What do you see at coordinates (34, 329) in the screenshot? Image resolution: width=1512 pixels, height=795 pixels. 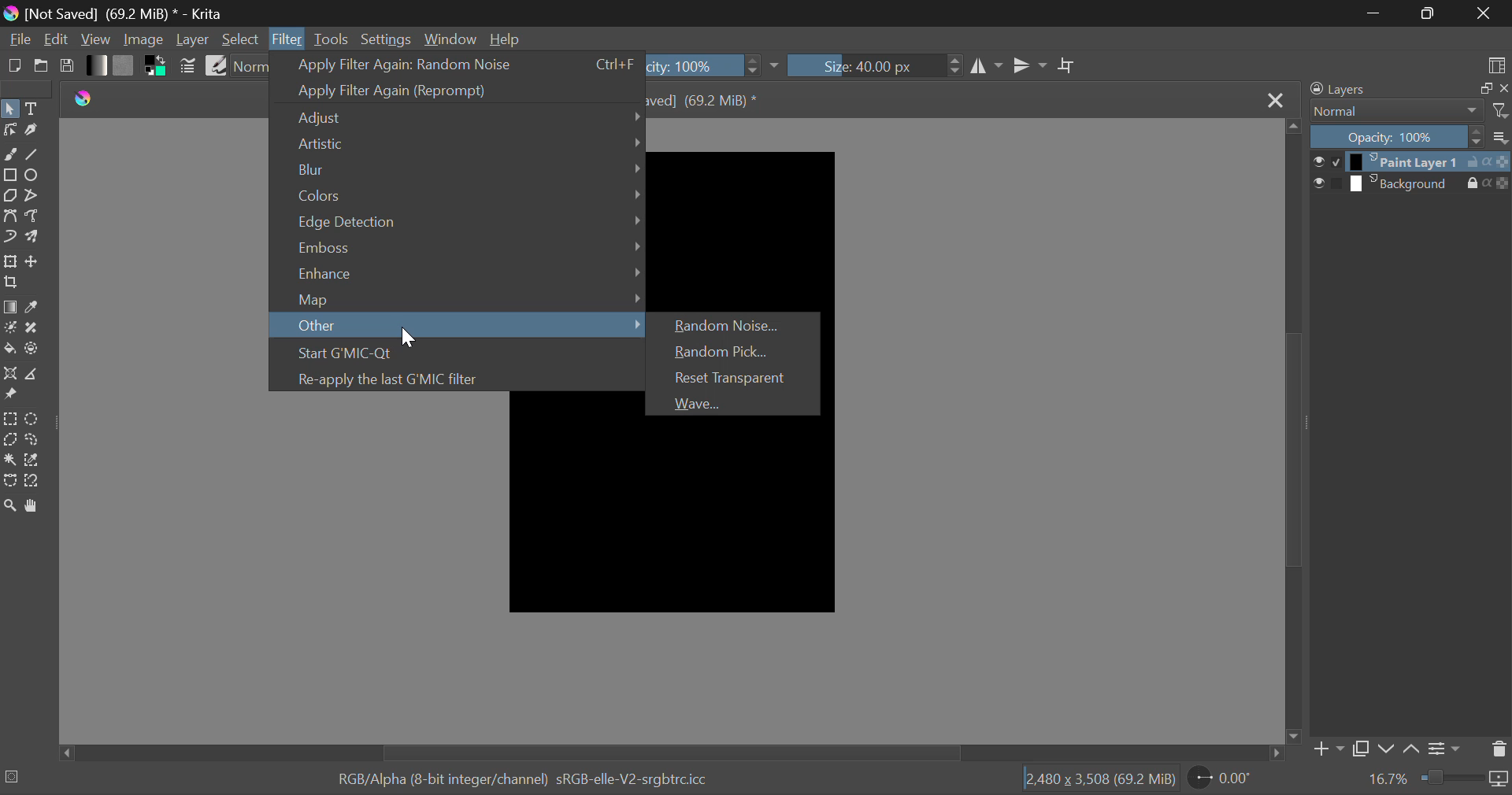 I see `Smart Patch Tool` at bounding box center [34, 329].